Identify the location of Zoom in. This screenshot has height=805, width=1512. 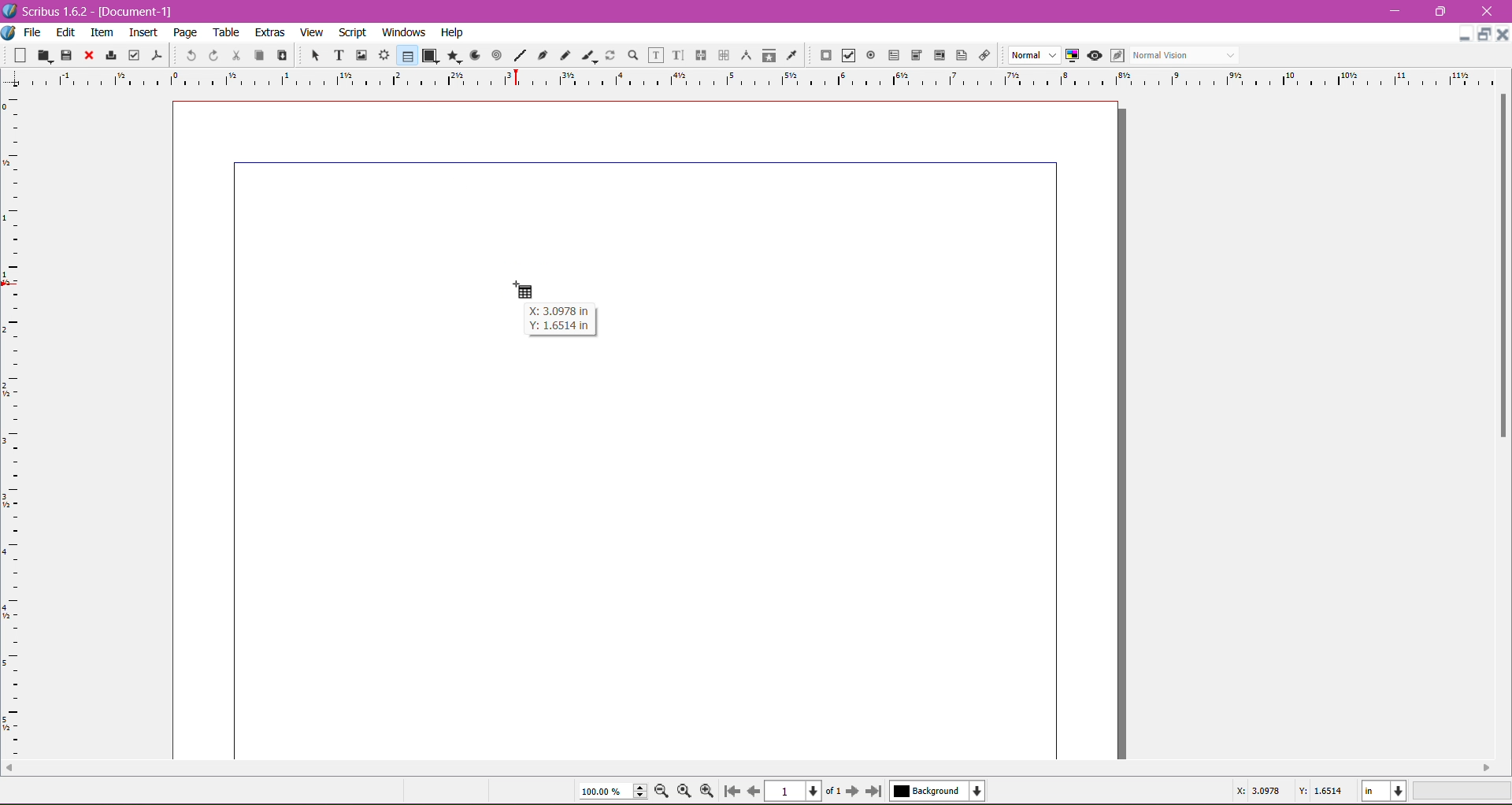
(708, 791).